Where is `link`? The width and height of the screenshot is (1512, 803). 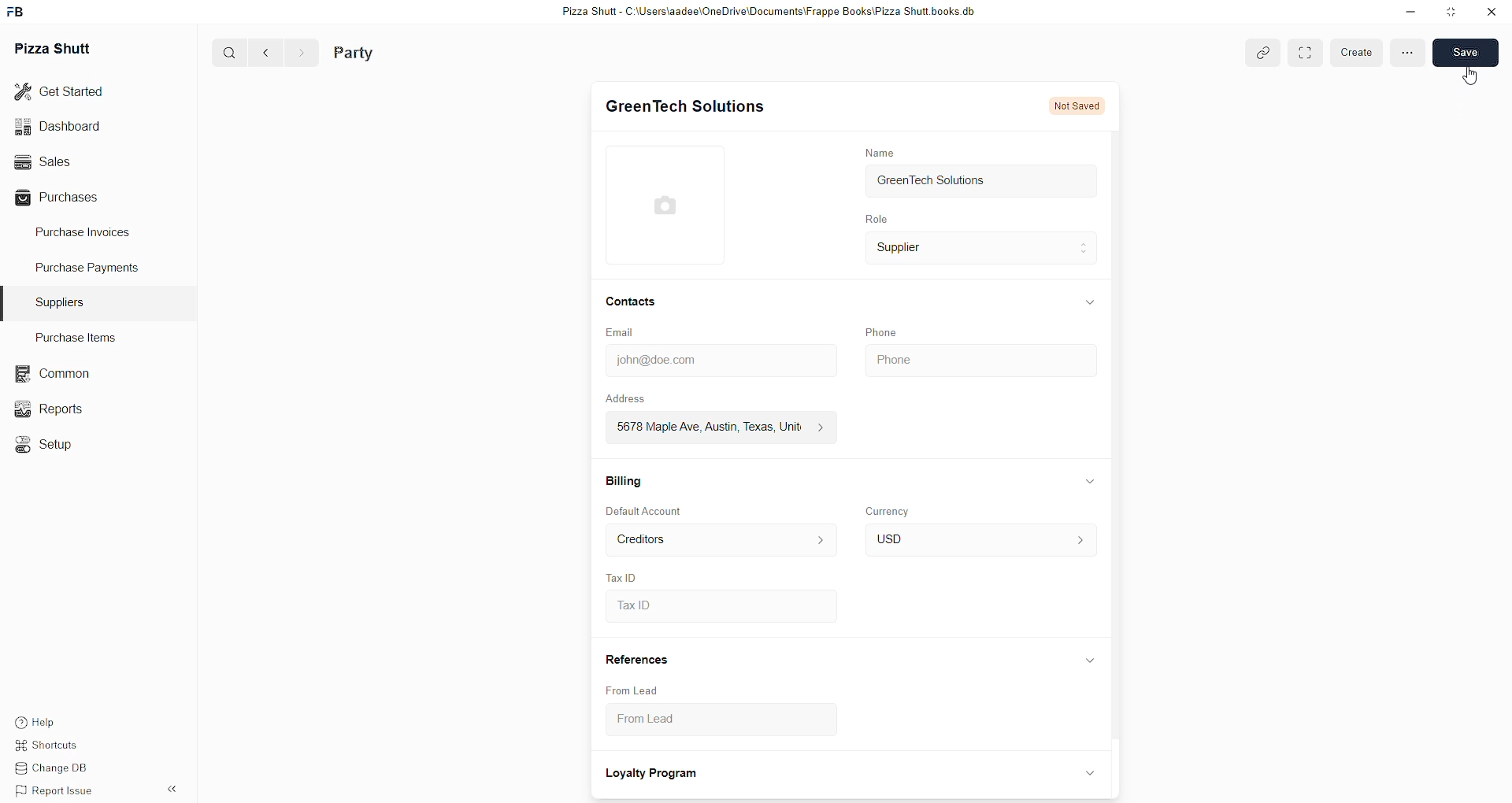 link is located at coordinates (1263, 52).